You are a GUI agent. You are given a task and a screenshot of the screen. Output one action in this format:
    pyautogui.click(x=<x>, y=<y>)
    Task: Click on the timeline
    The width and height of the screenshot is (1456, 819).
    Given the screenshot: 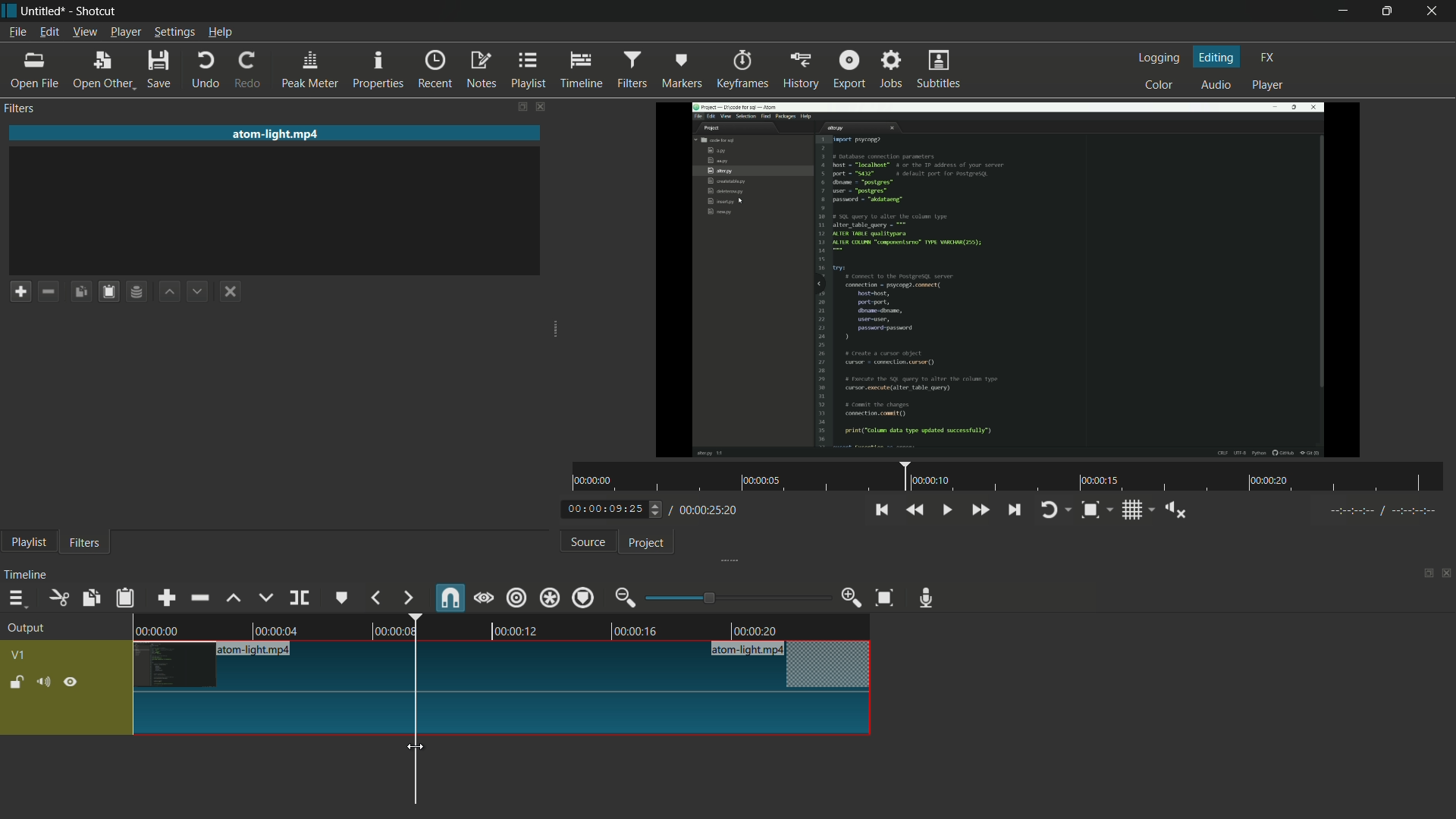 What is the action you would take?
    pyautogui.click(x=28, y=575)
    